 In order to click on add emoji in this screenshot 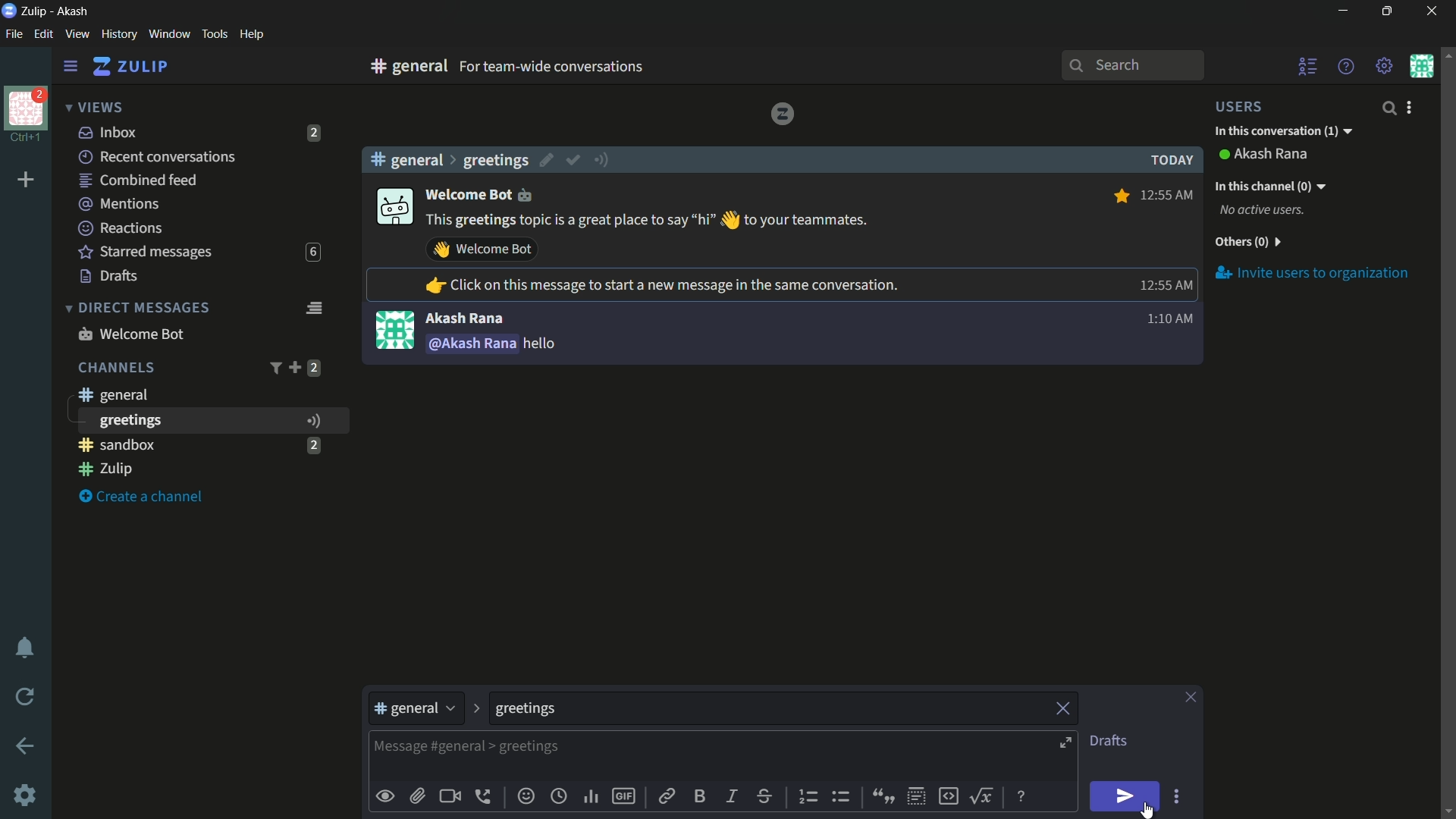, I will do `click(526, 796)`.